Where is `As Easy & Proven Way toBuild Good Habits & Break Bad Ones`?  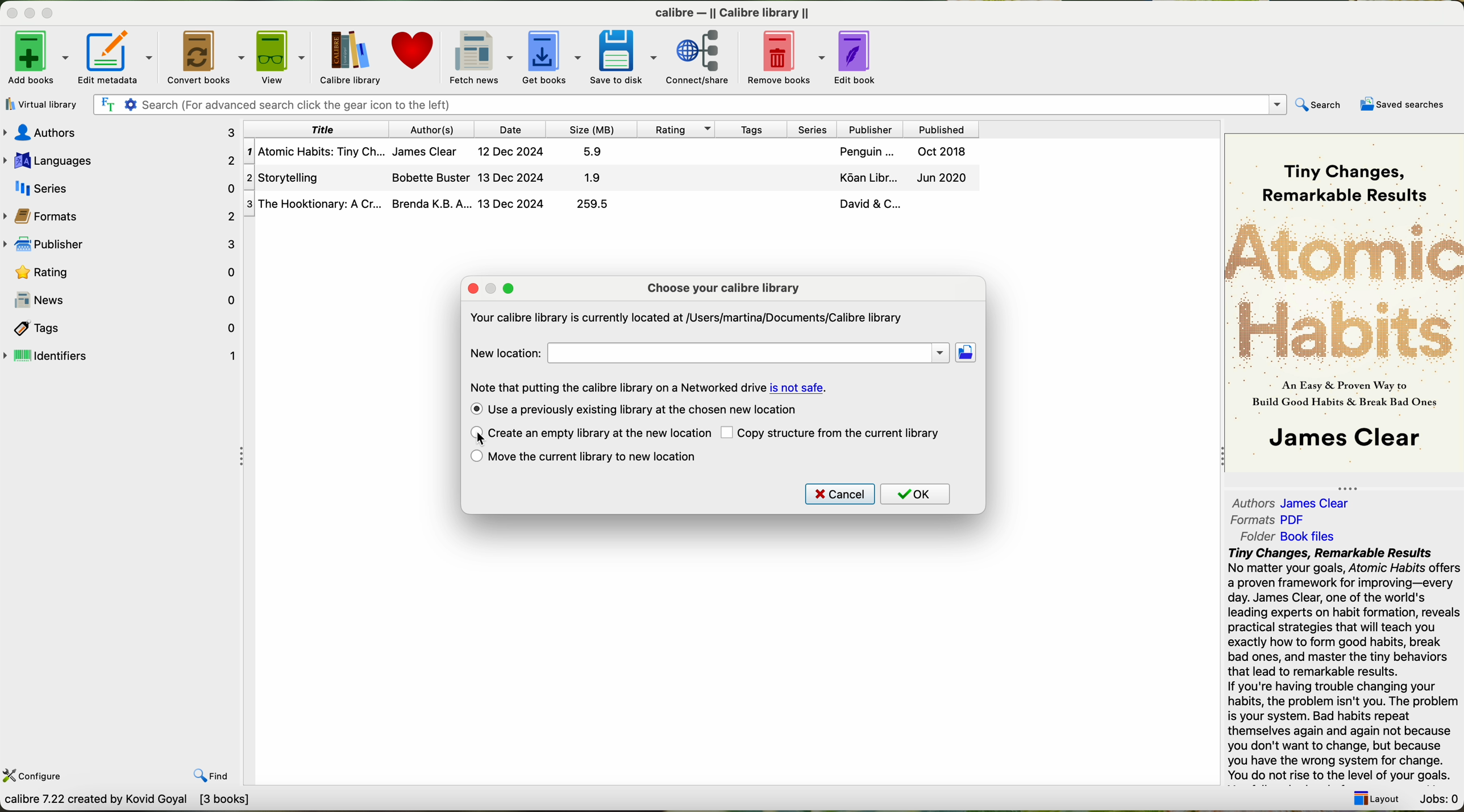
As Easy & Proven Way toBuild Good Habits & Break Bad Ones is located at coordinates (1338, 395).